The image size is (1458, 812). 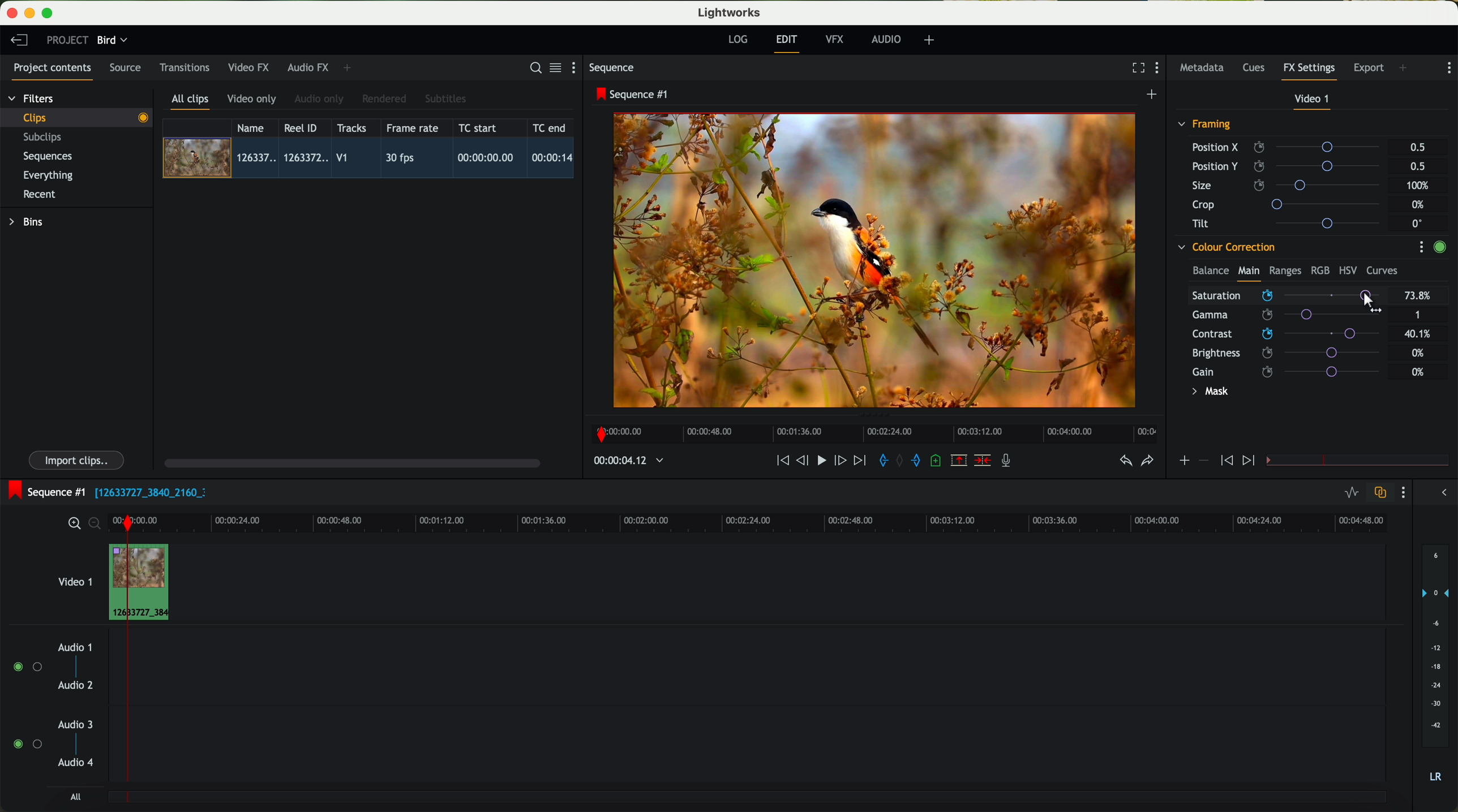 I want to click on nudge one frame back, so click(x=804, y=462).